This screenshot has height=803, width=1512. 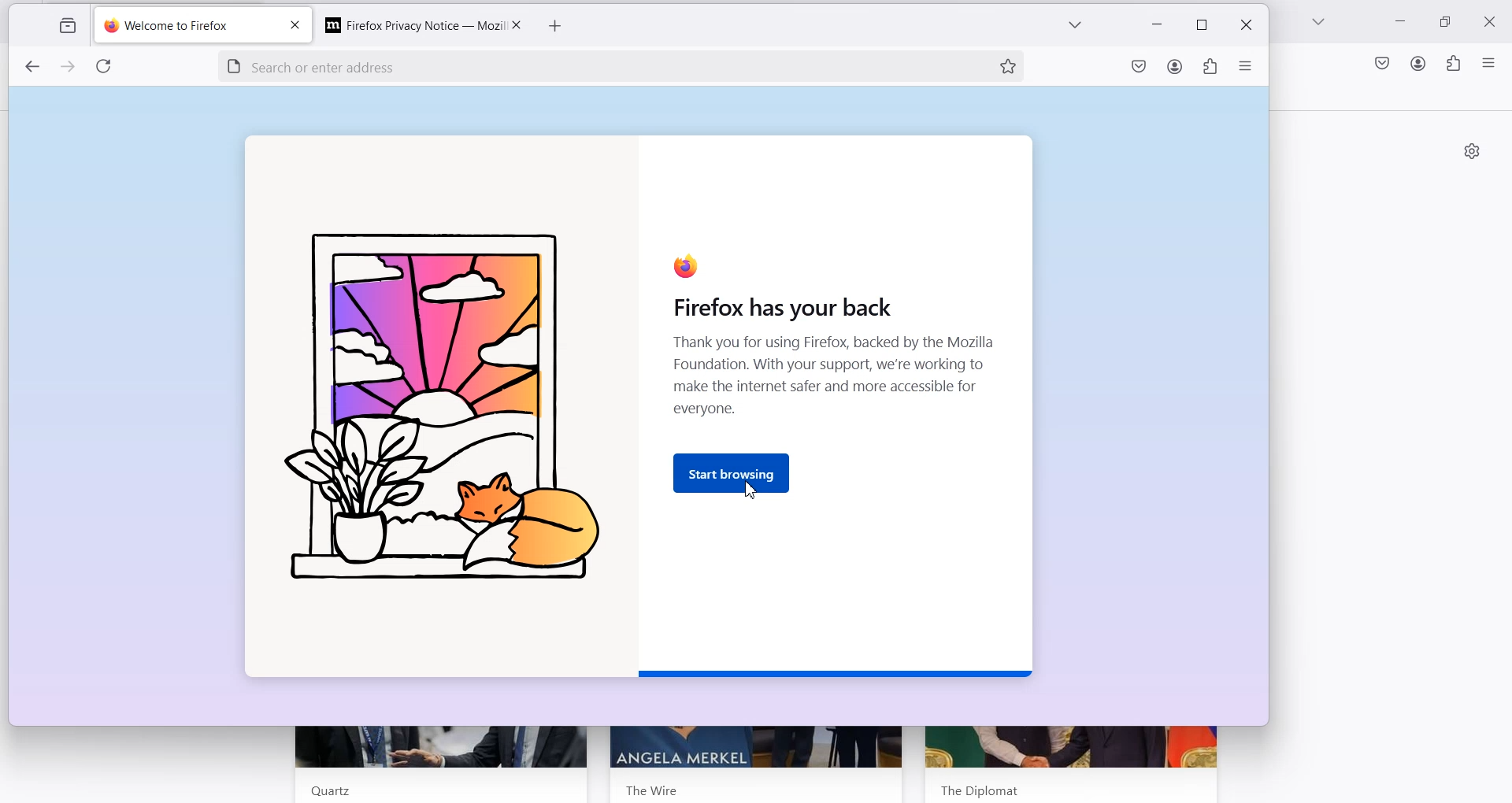 I want to click on Maximize, so click(x=1448, y=22).